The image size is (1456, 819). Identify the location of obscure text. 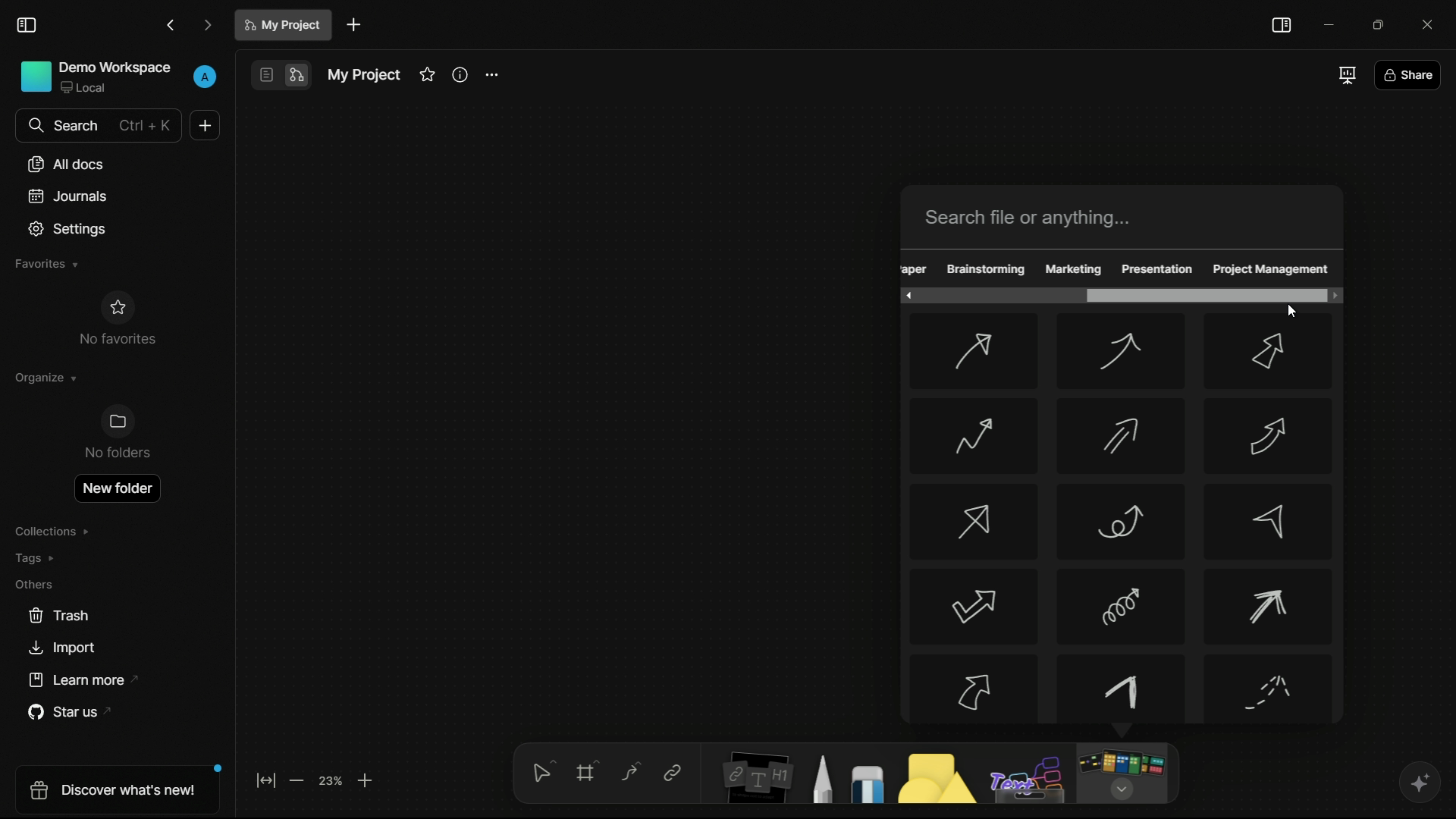
(915, 268).